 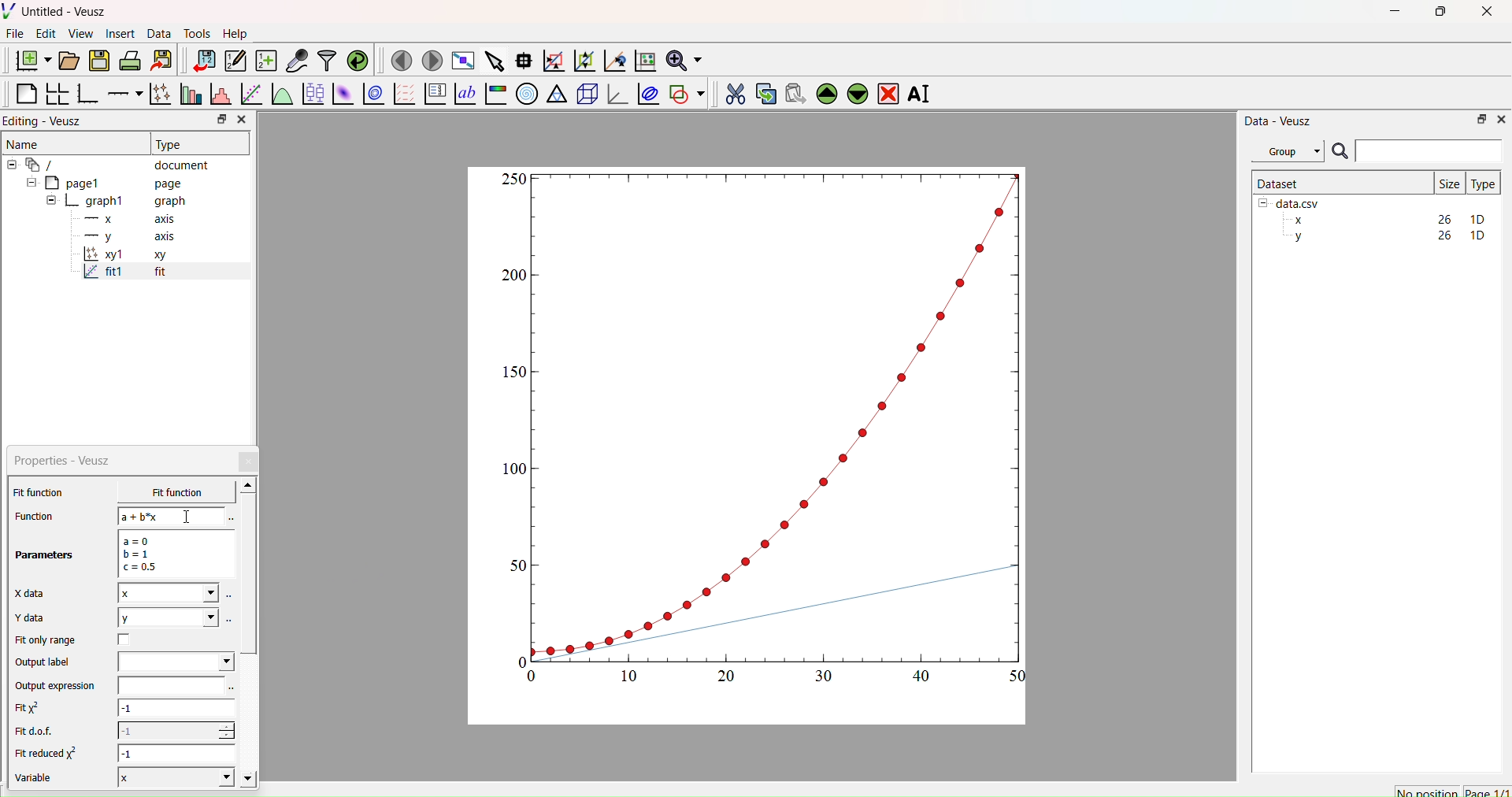 I want to click on Plot a 2d dataset as contours, so click(x=372, y=95).